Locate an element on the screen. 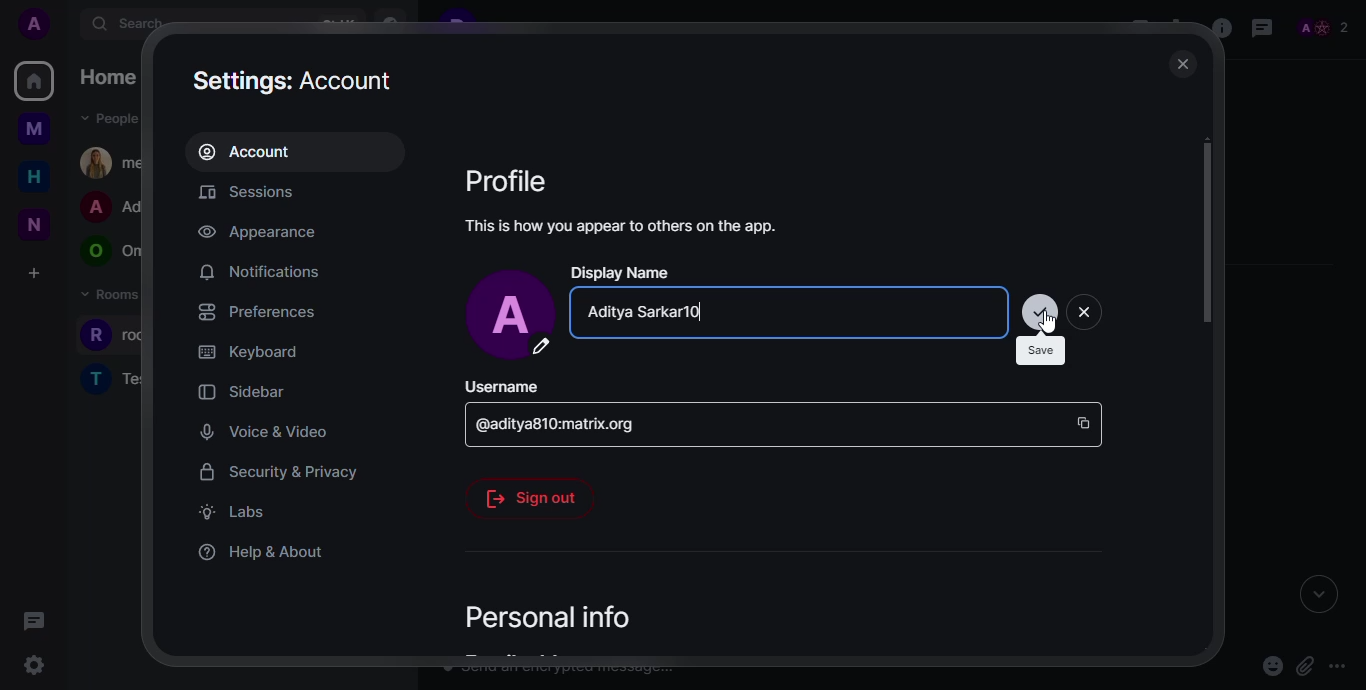 Image resolution: width=1366 pixels, height=690 pixels. profile pic is located at coordinates (512, 315).